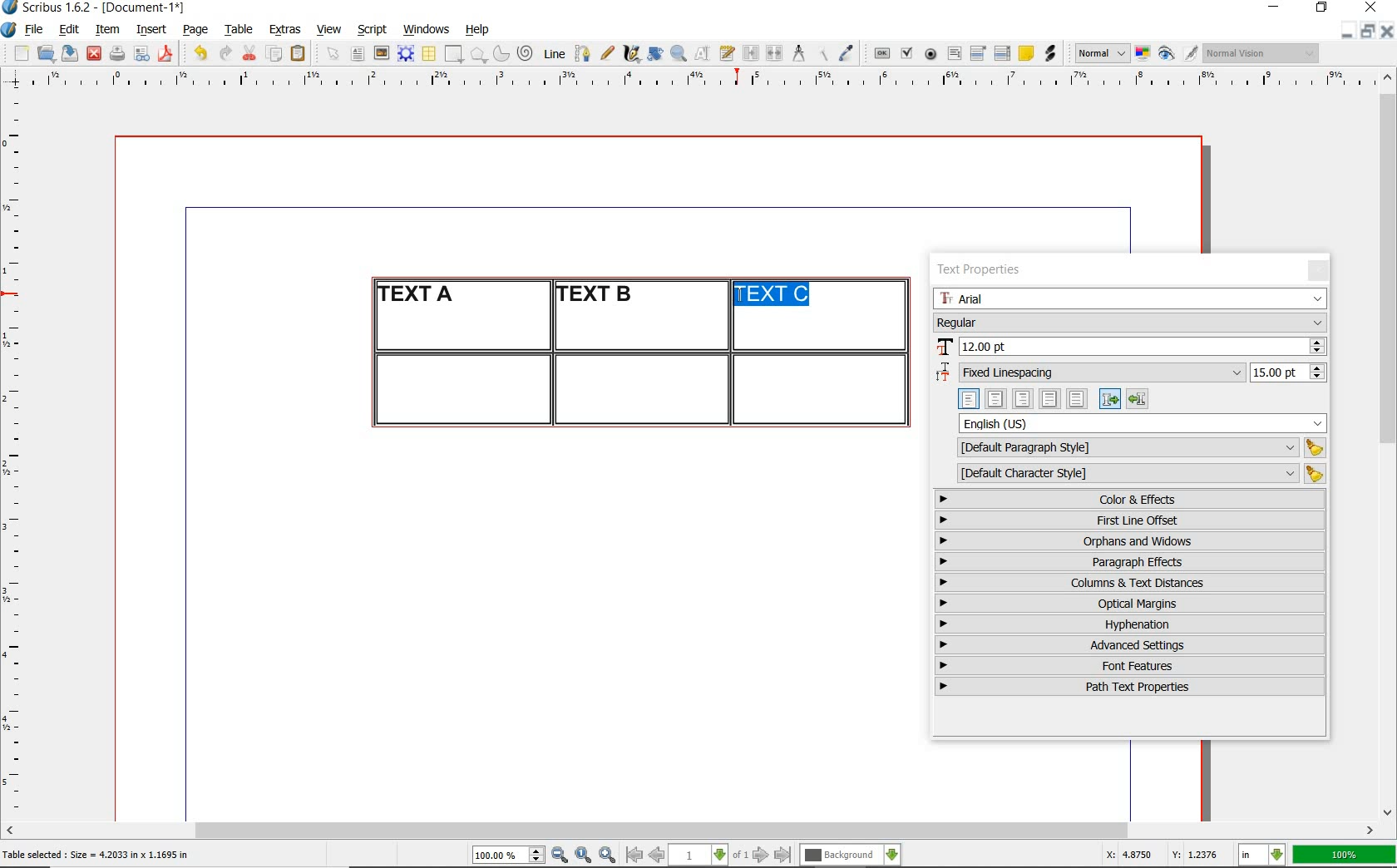  Describe the element at coordinates (798, 54) in the screenshot. I see `measurements` at that location.